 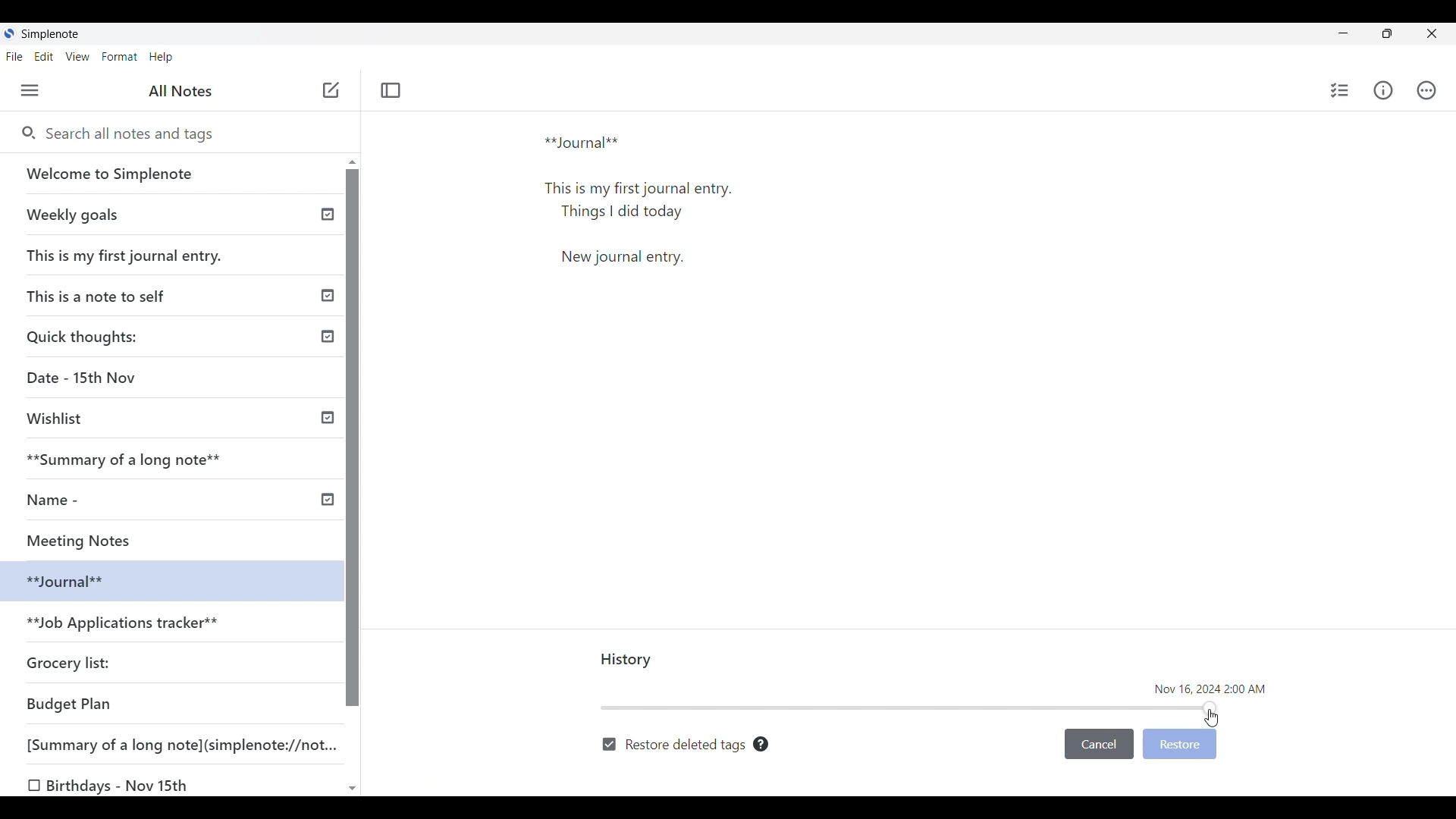 What do you see at coordinates (1382, 89) in the screenshot?
I see `Info` at bounding box center [1382, 89].